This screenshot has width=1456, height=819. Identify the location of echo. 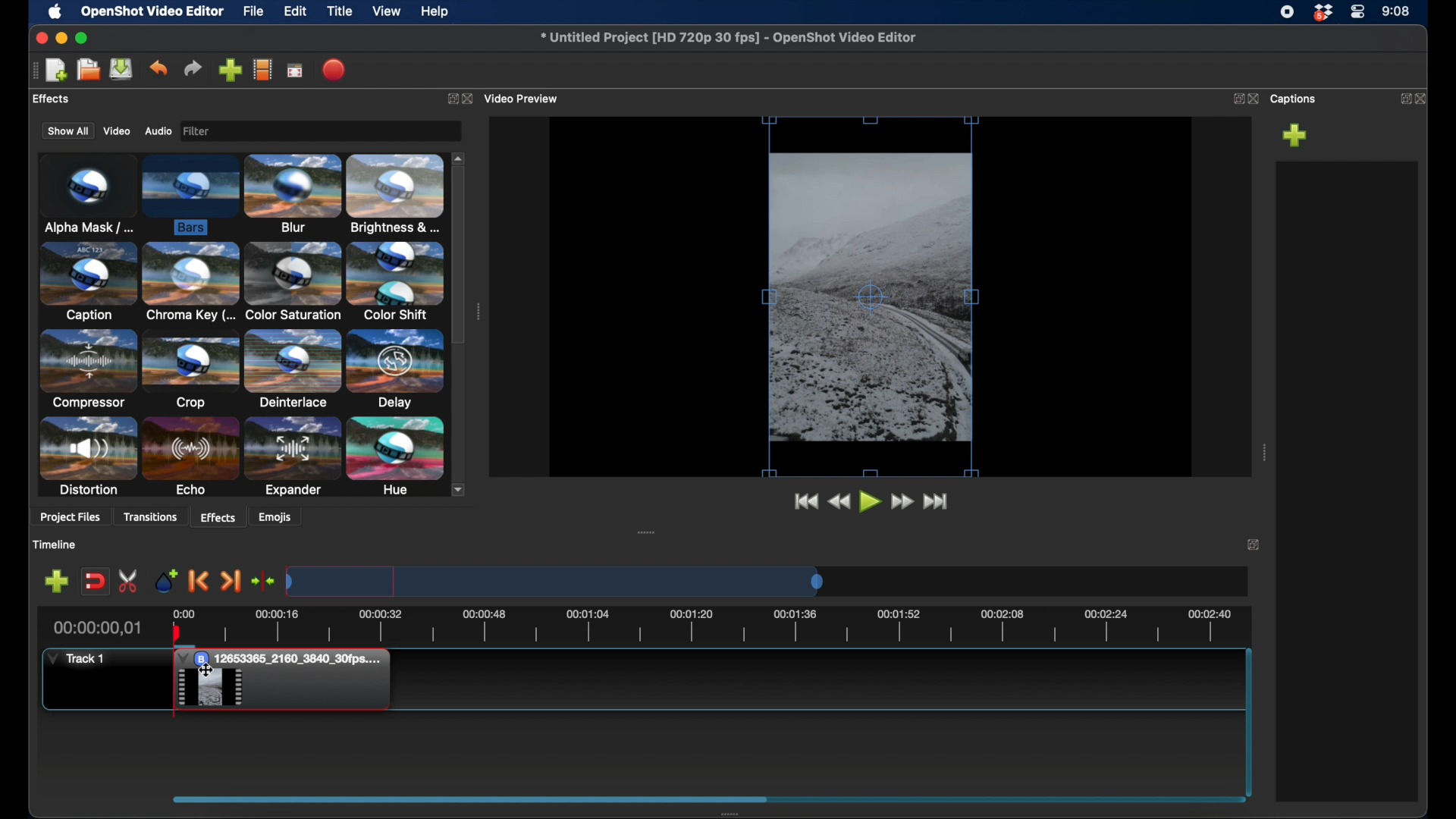
(191, 457).